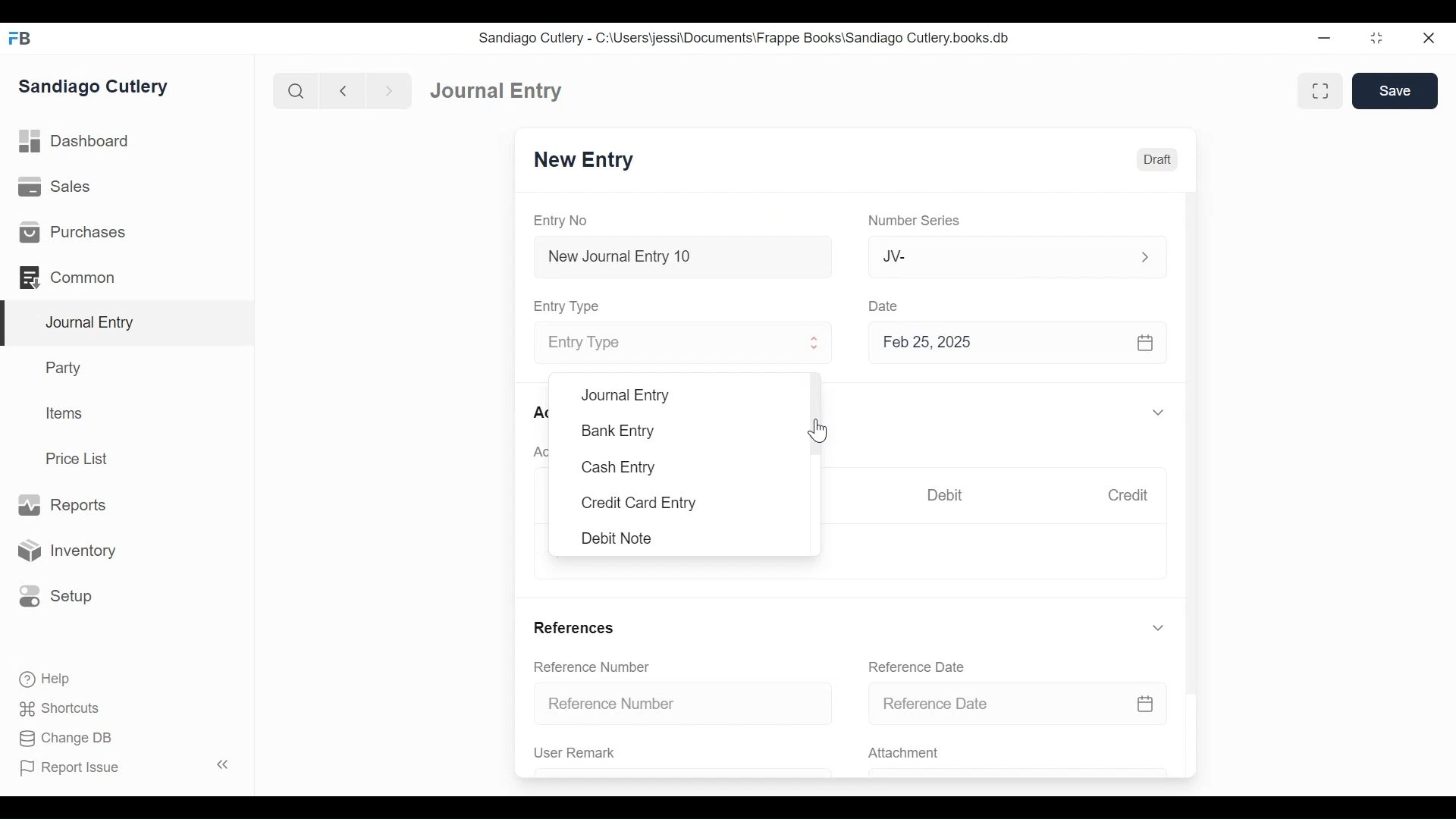 This screenshot has height=819, width=1456. I want to click on Credit Card Entry, so click(635, 504).